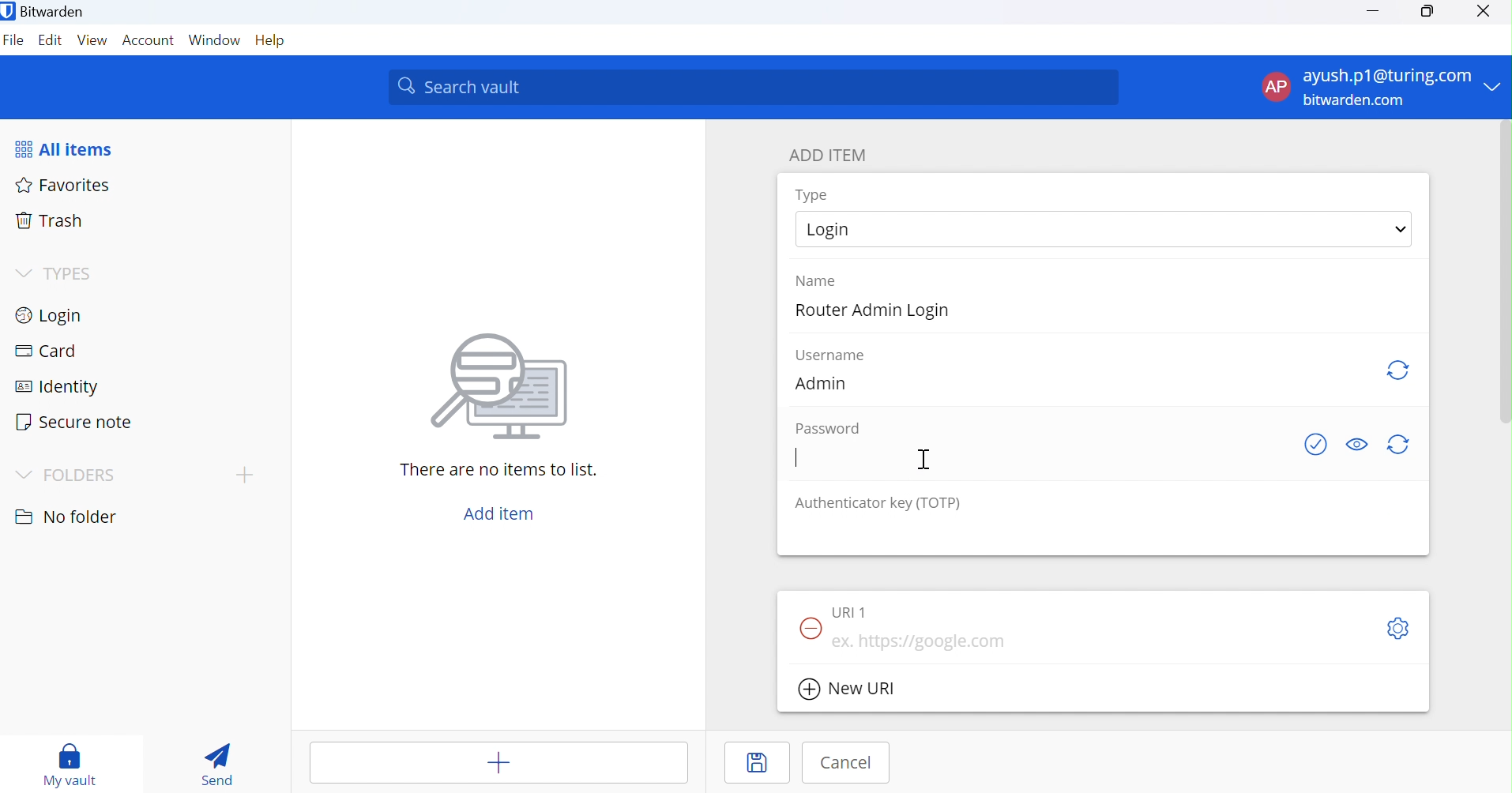 The image size is (1512, 793). I want to click on Cancel, so click(846, 763).